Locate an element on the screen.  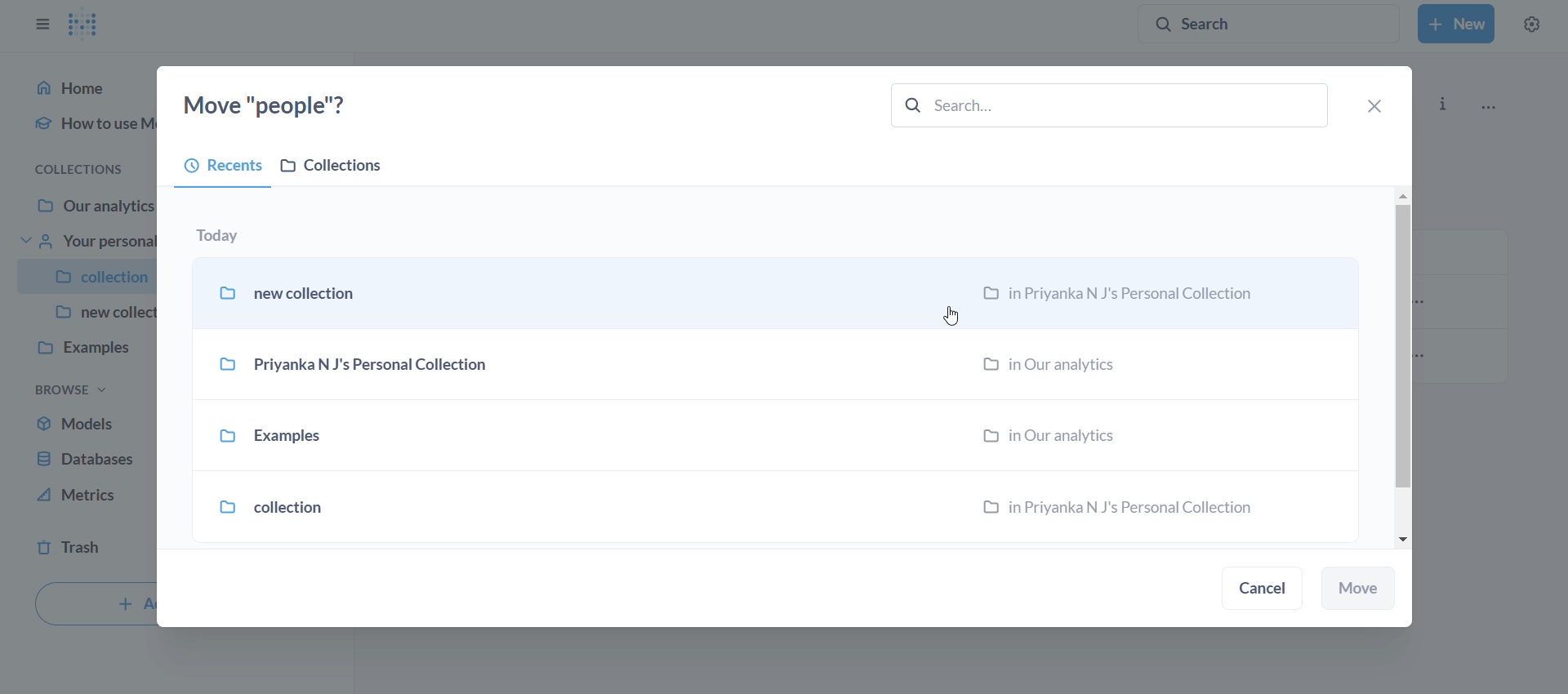
collection is located at coordinates (775, 508).